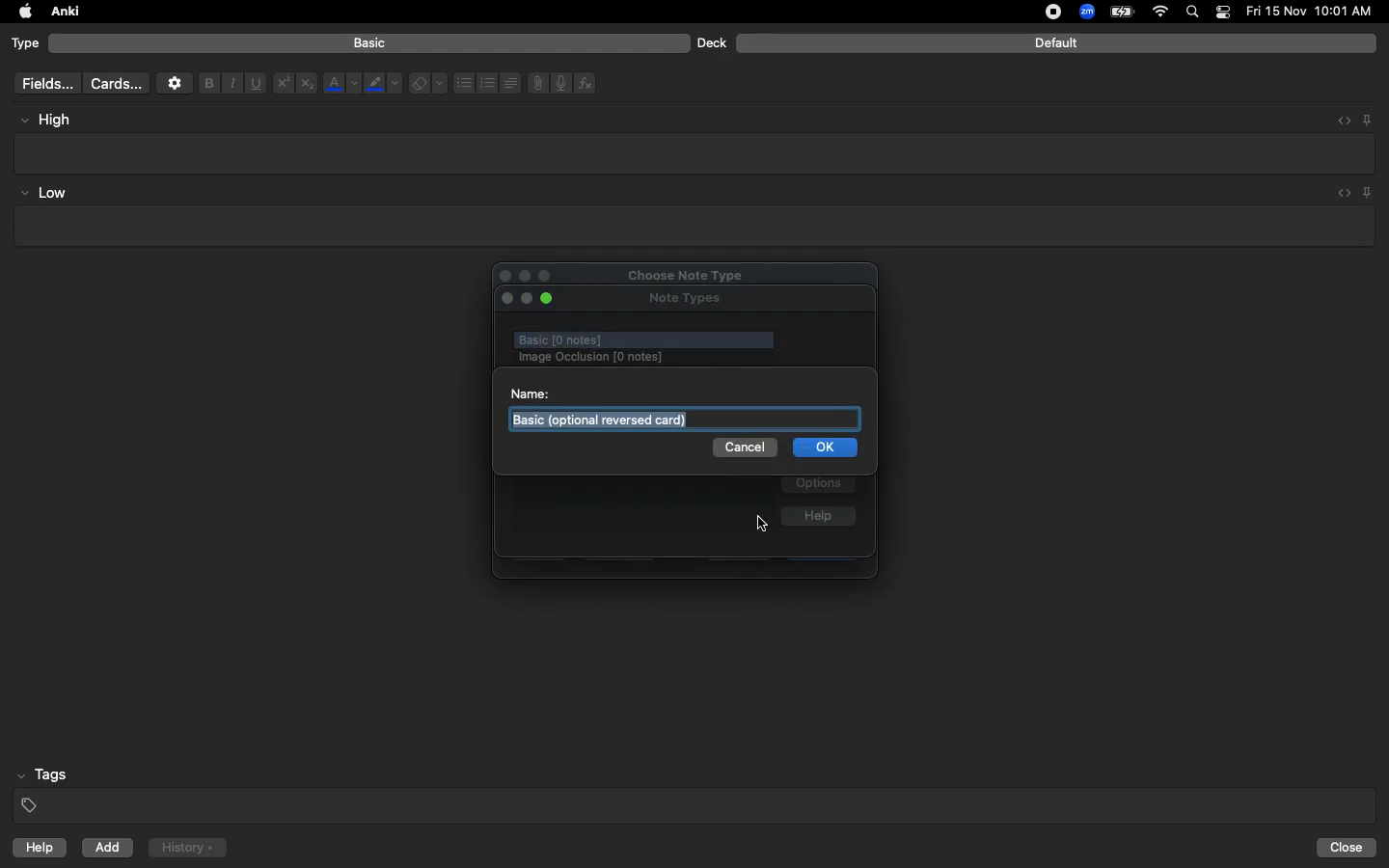  Describe the element at coordinates (64, 13) in the screenshot. I see `Anki` at that location.